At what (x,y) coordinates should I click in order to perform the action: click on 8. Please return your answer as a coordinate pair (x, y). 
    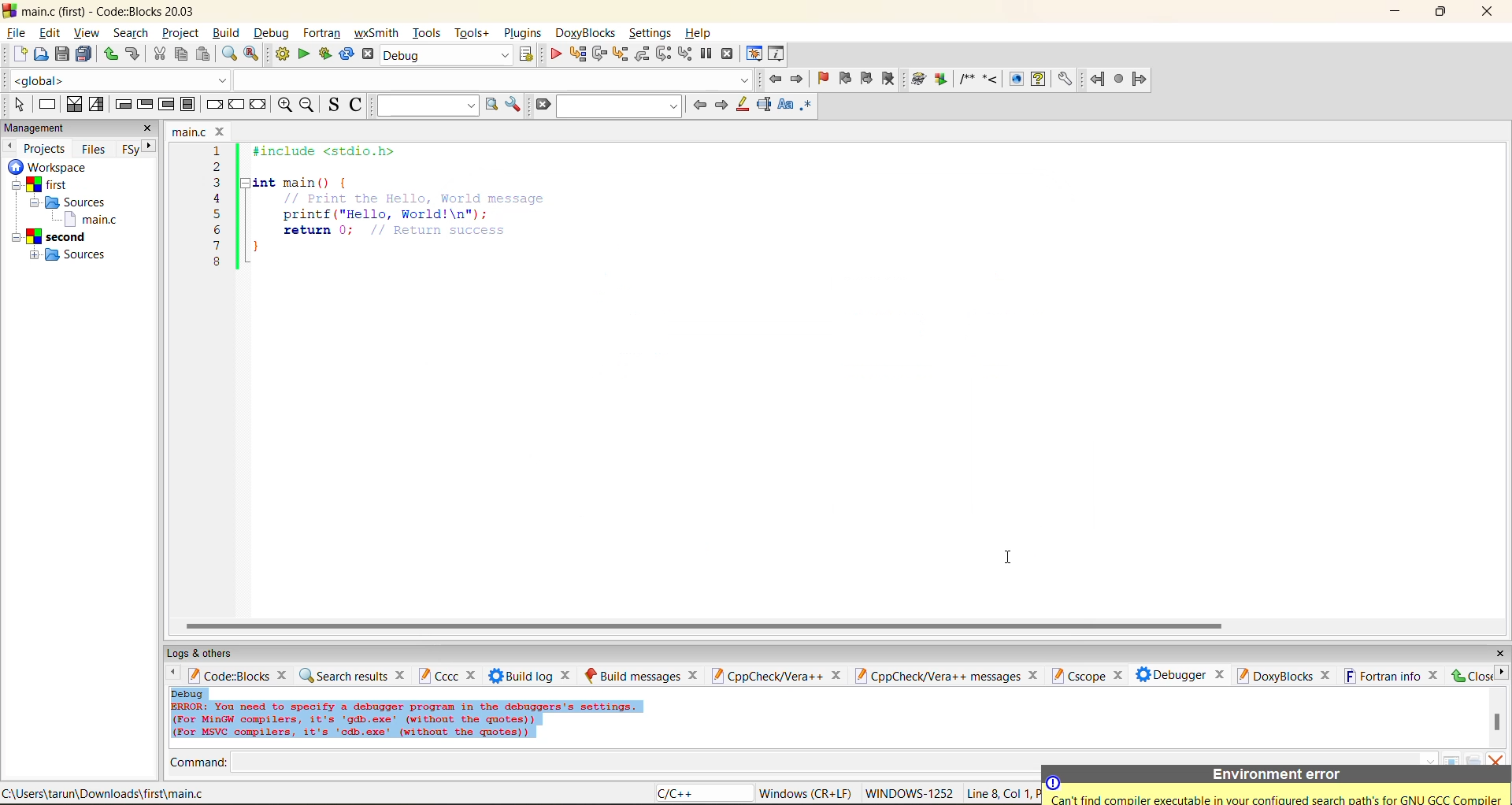
    Looking at the image, I should click on (217, 262).